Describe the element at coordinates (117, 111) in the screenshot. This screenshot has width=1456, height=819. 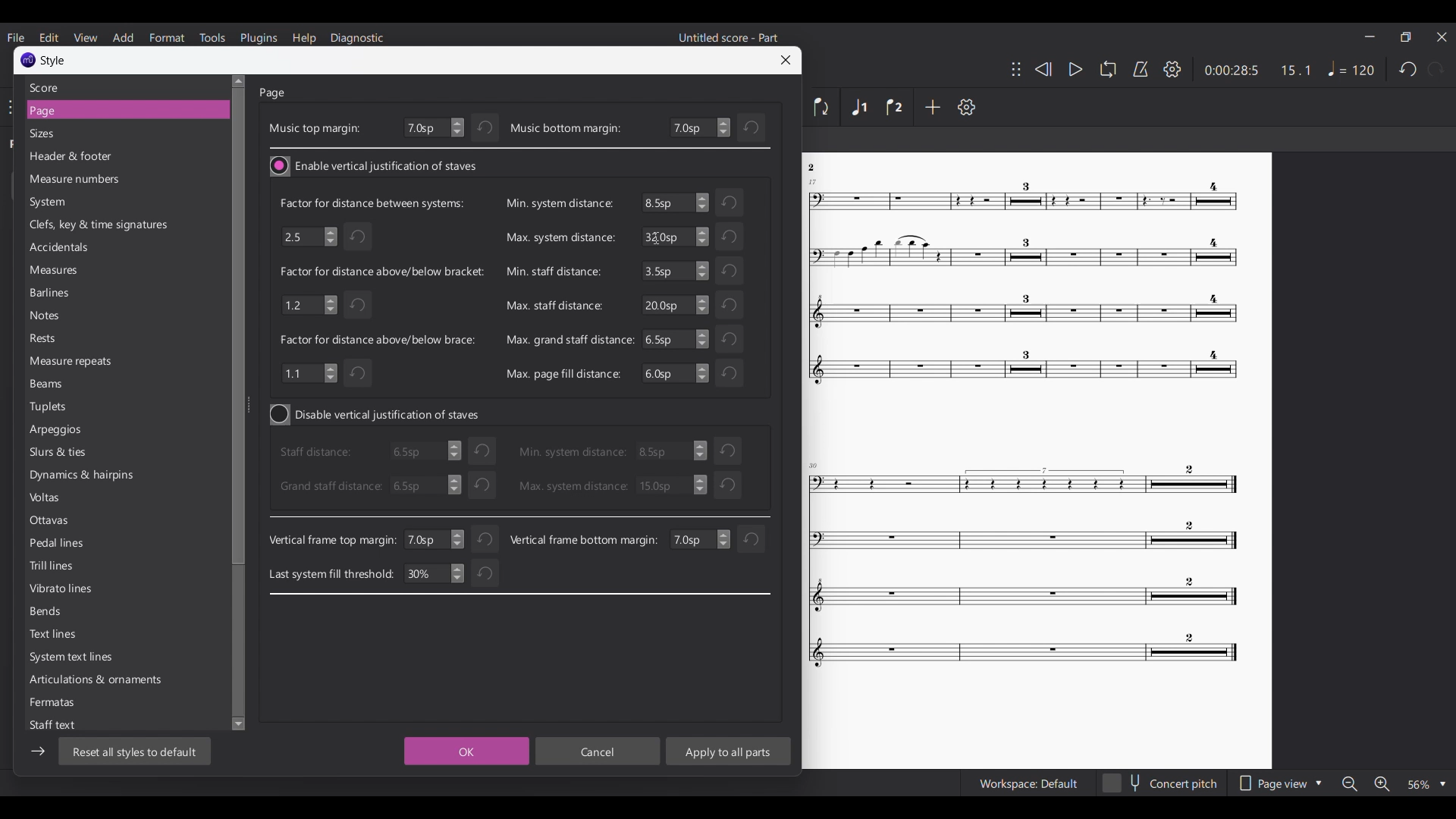
I see `Page` at that location.